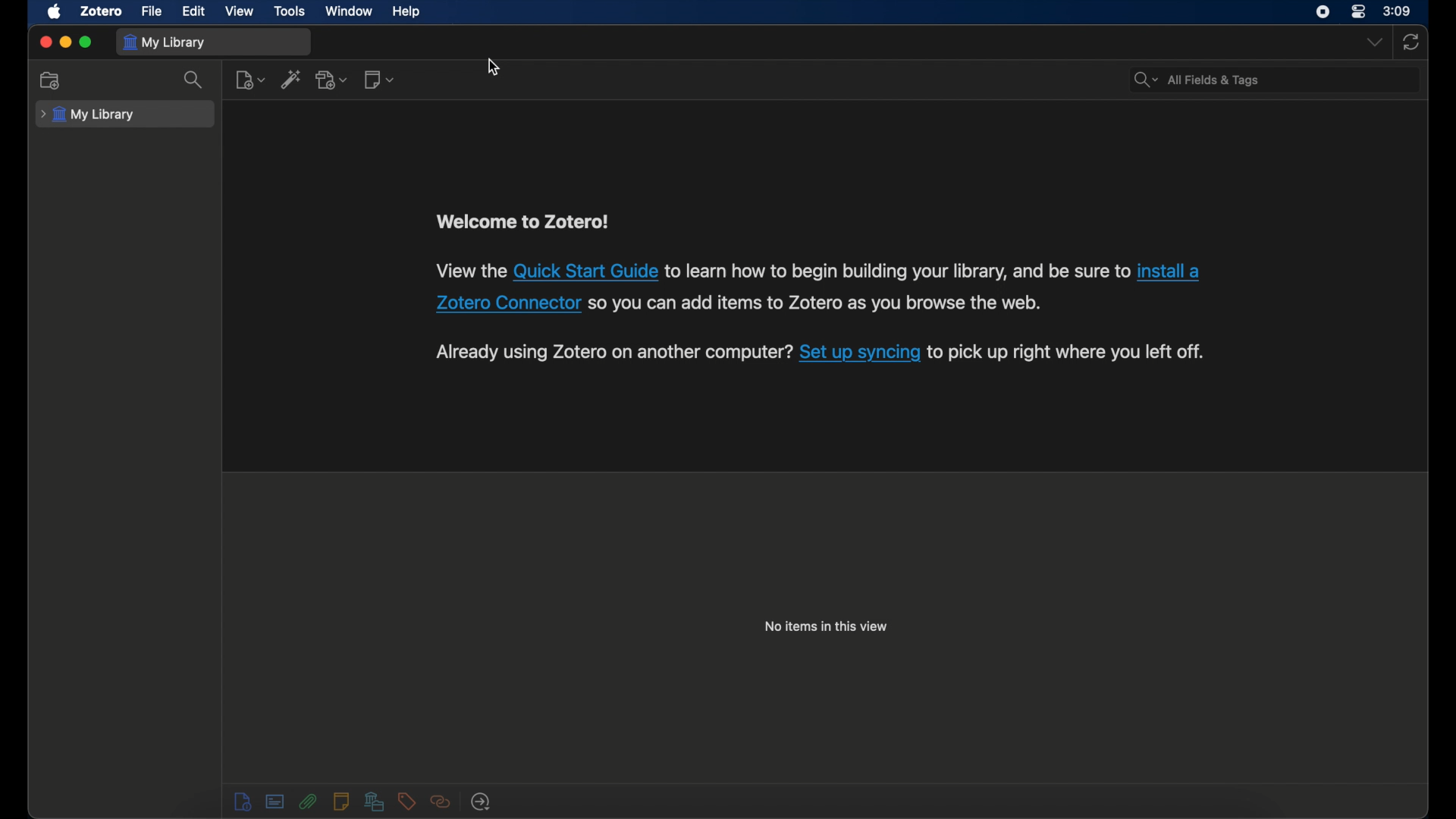 The height and width of the screenshot is (819, 1456). Describe the element at coordinates (1374, 42) in the screenshot. I see `dropdown` at that location.